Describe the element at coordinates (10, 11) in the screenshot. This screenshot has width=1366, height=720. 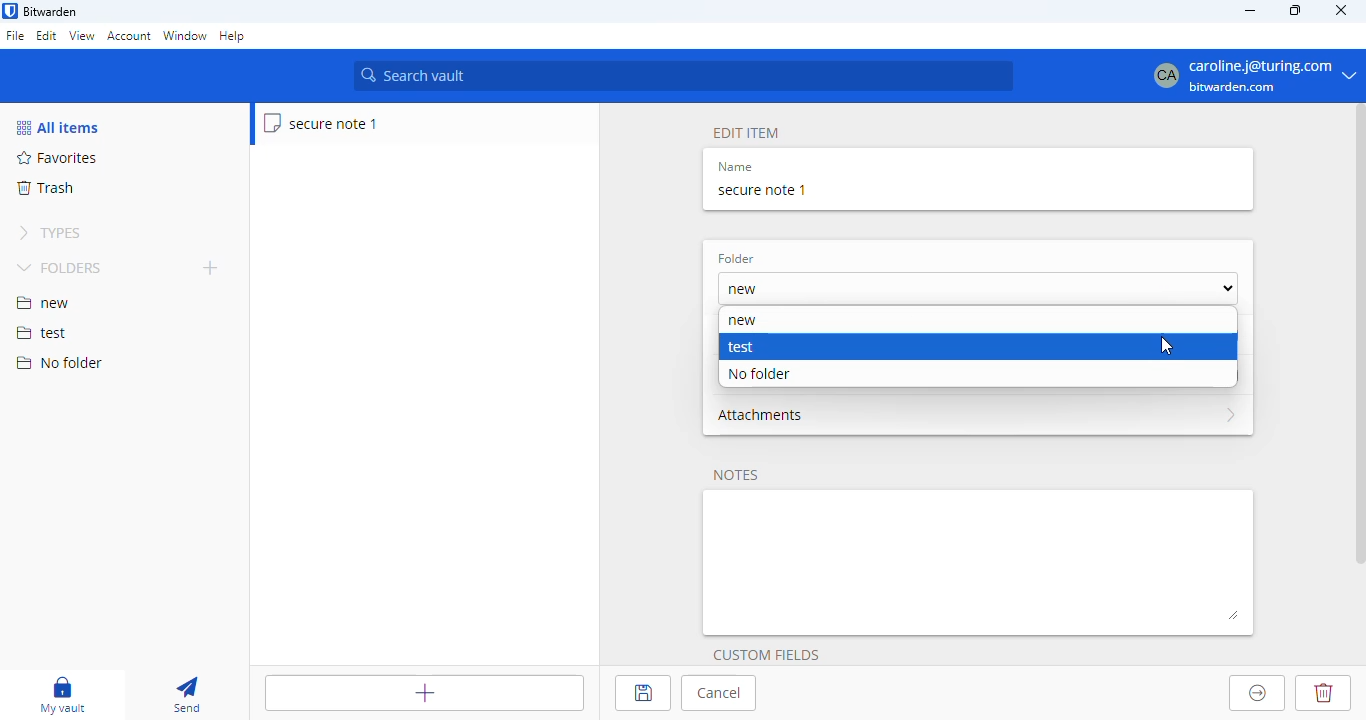
I see `logo` at that location.